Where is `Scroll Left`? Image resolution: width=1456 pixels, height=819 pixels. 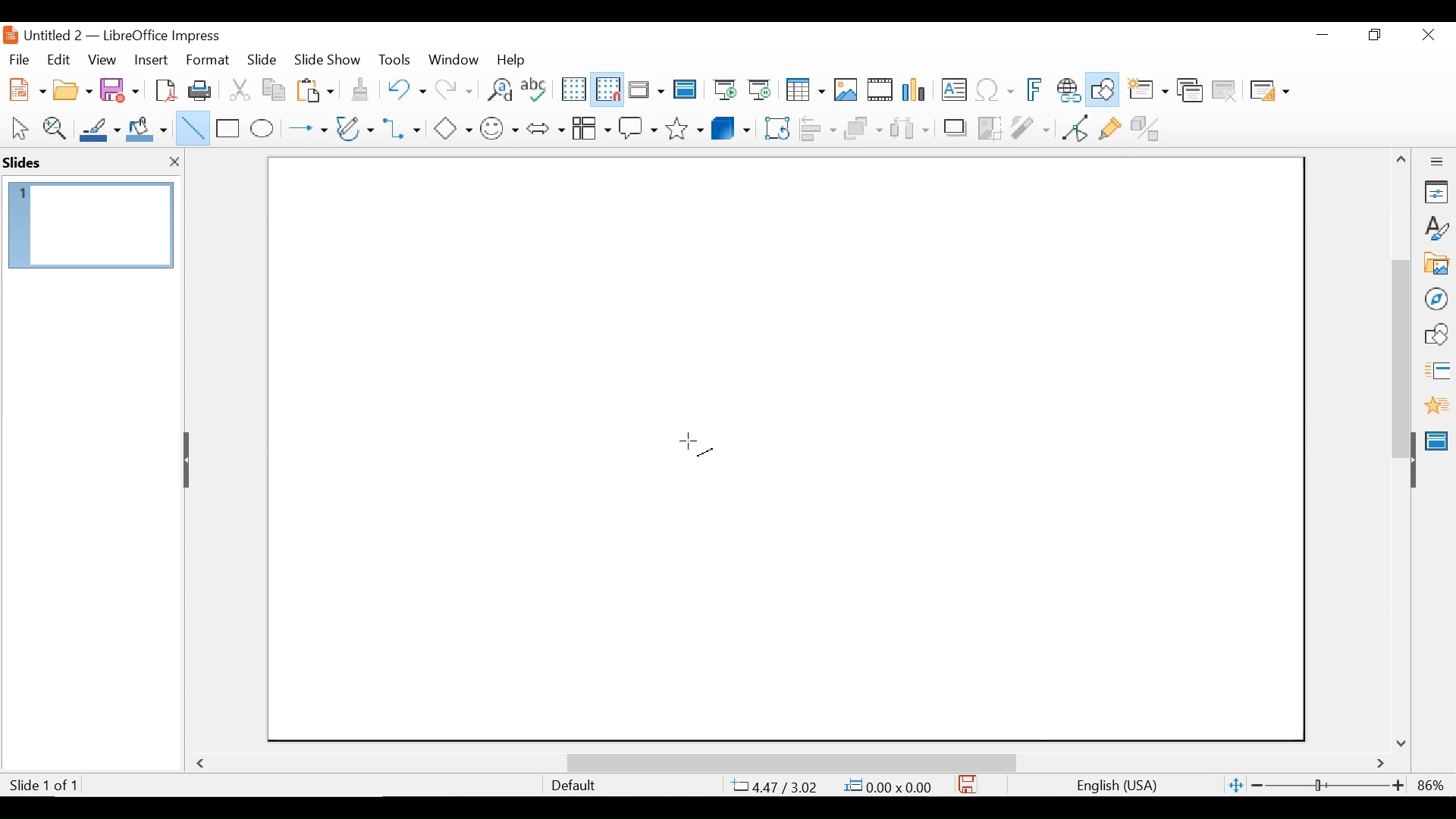 Scroll Left is located at coordinates (203, 764).